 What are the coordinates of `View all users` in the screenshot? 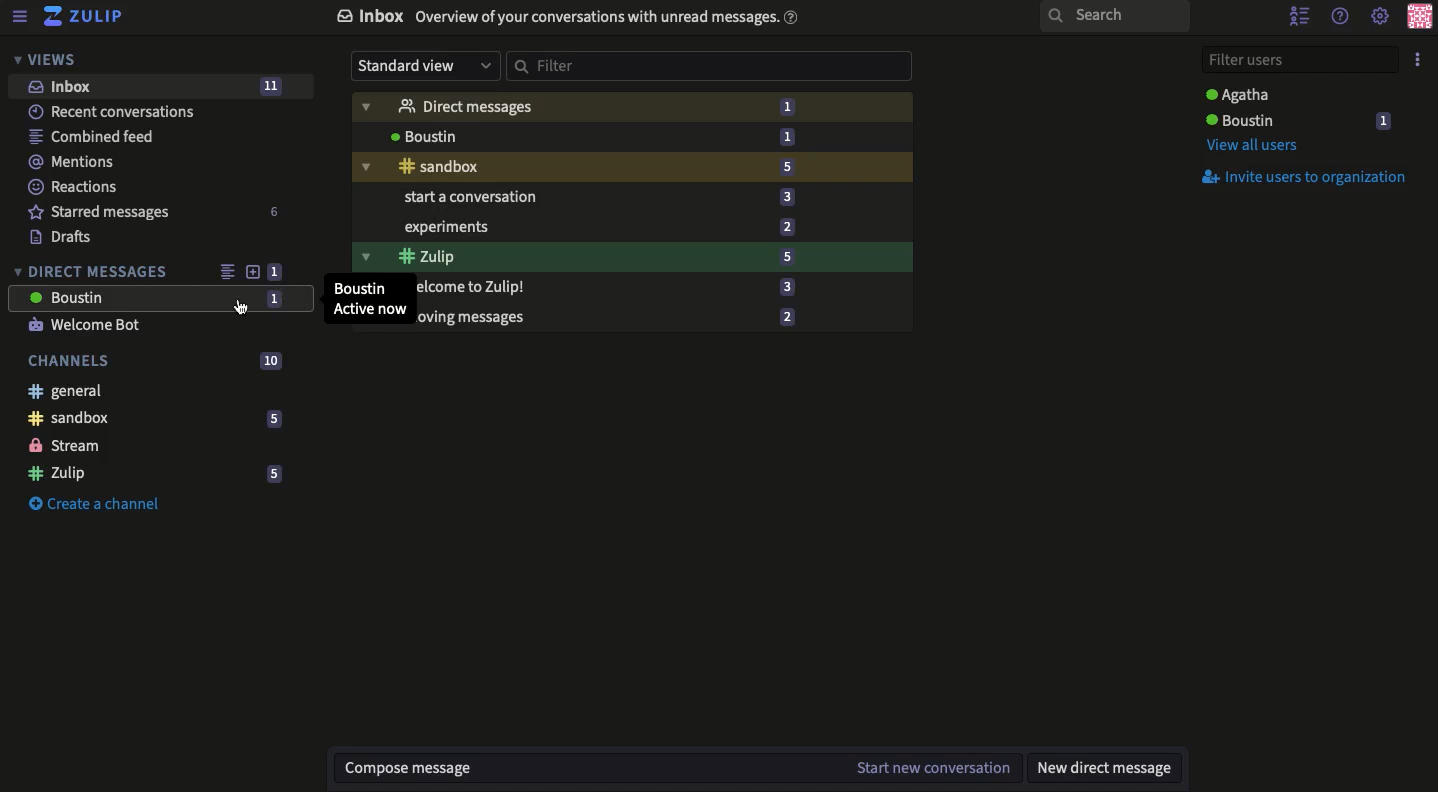 It's located at (1265, 143).